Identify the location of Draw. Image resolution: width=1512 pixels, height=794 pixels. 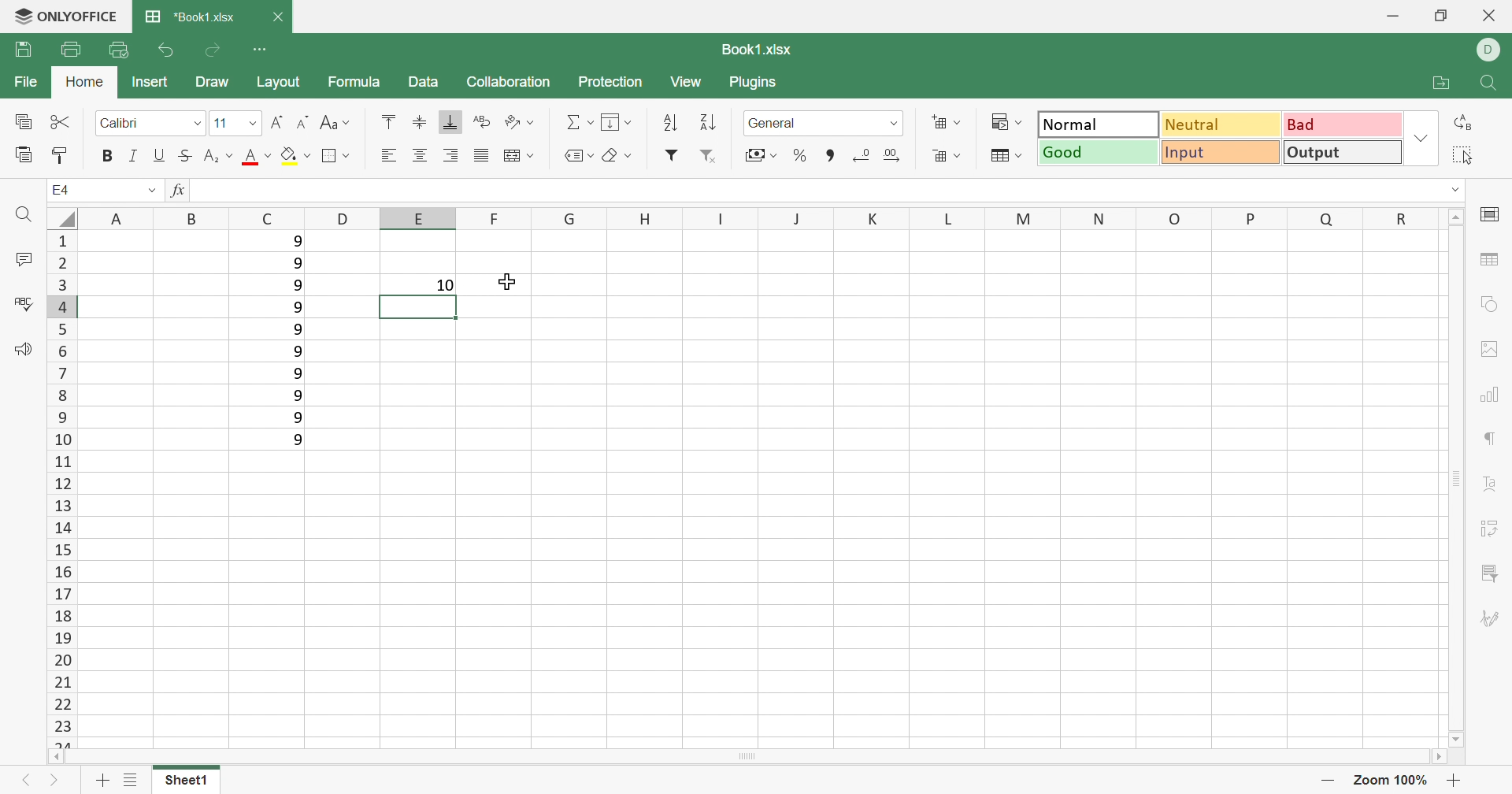
(213, 83).